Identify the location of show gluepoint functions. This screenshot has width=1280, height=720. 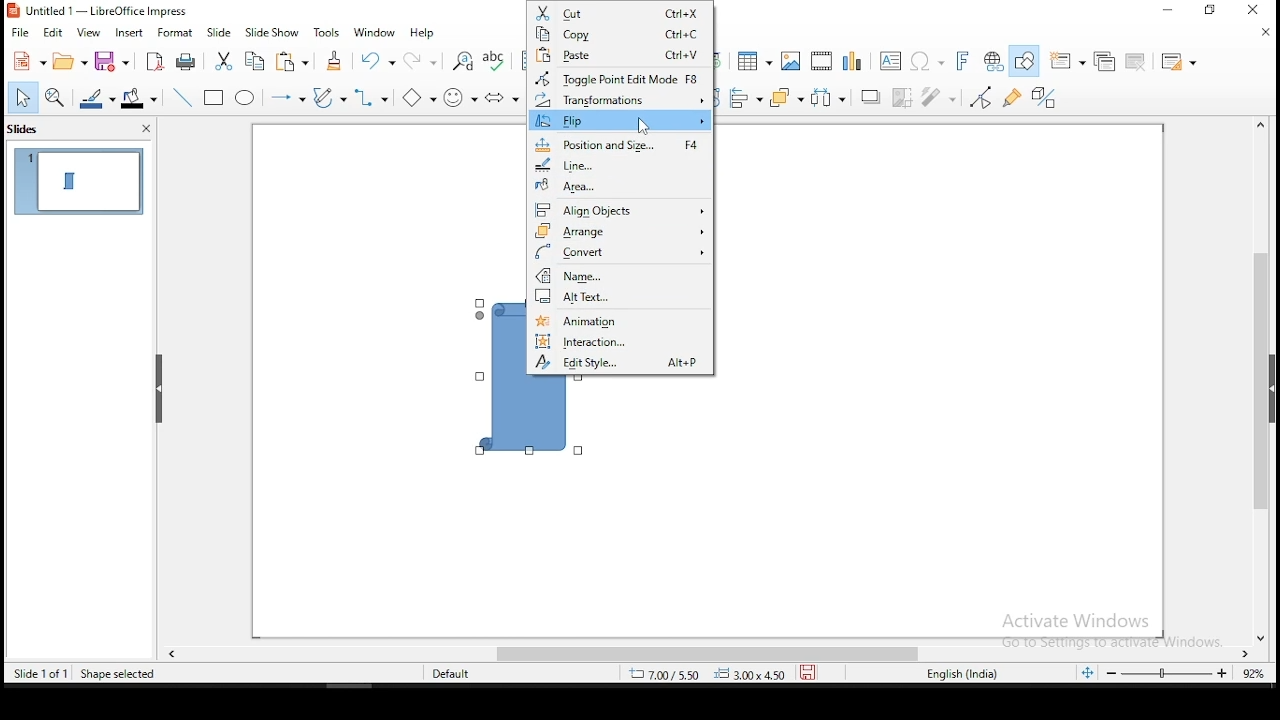
(1013, 96).